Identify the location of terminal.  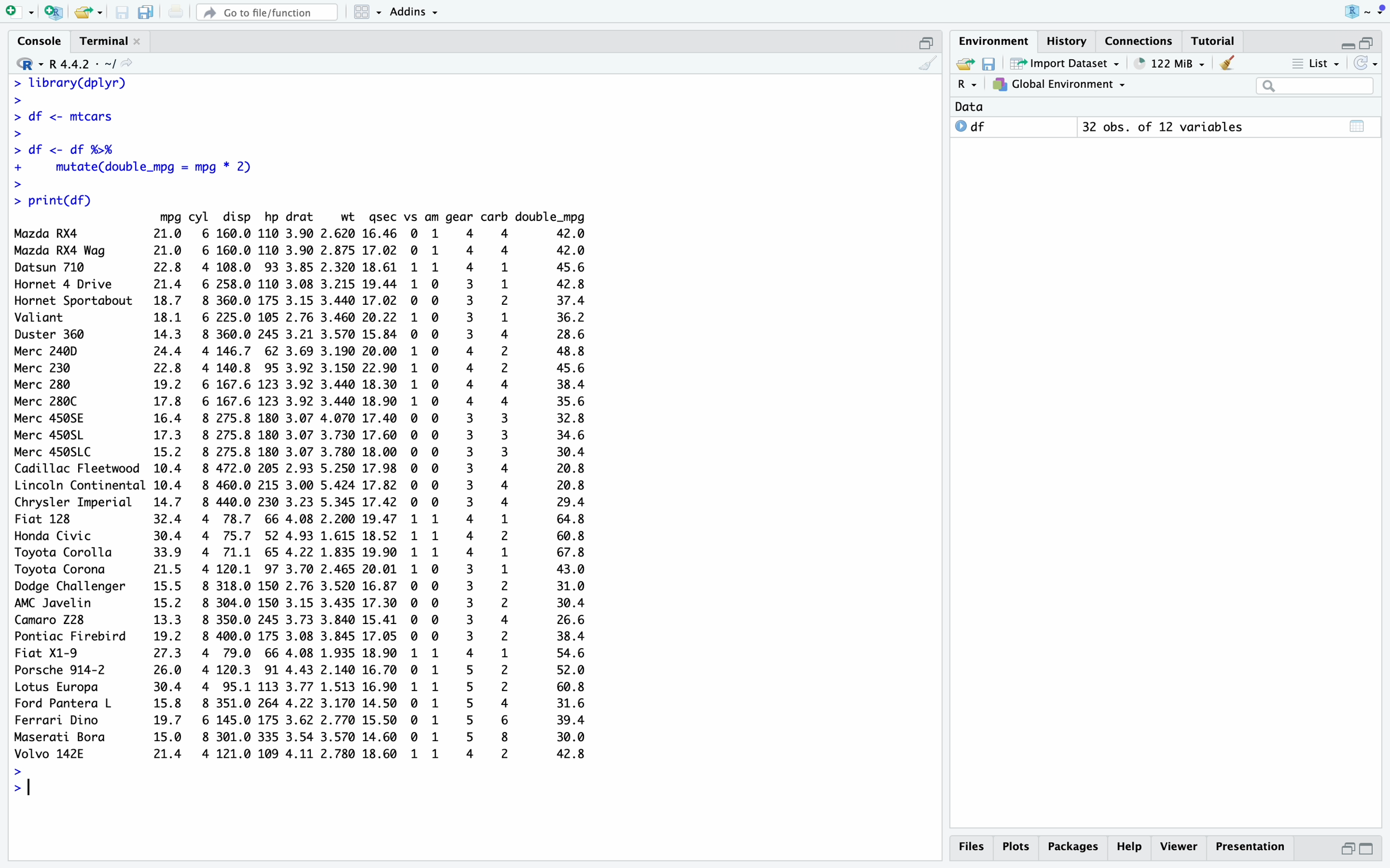
(104, 42).